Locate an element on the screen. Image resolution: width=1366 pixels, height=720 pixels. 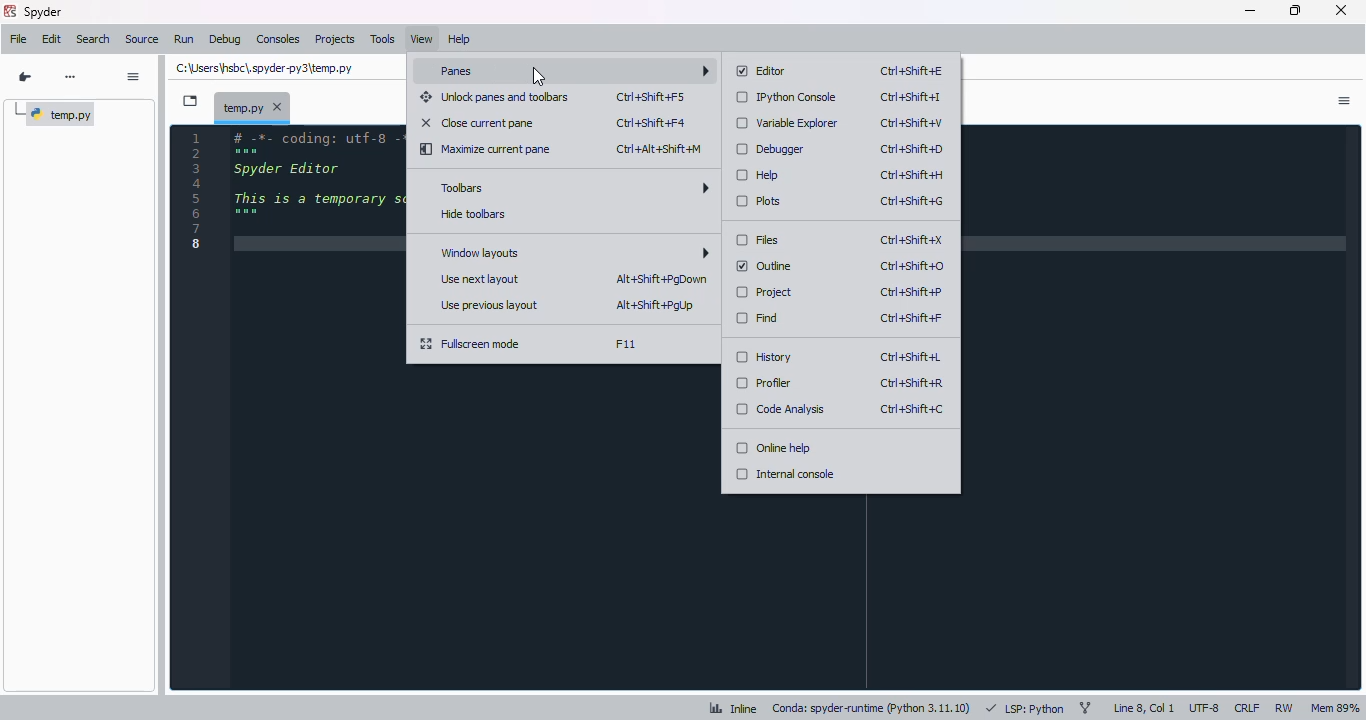
inline is located at coordinates (734, 708).